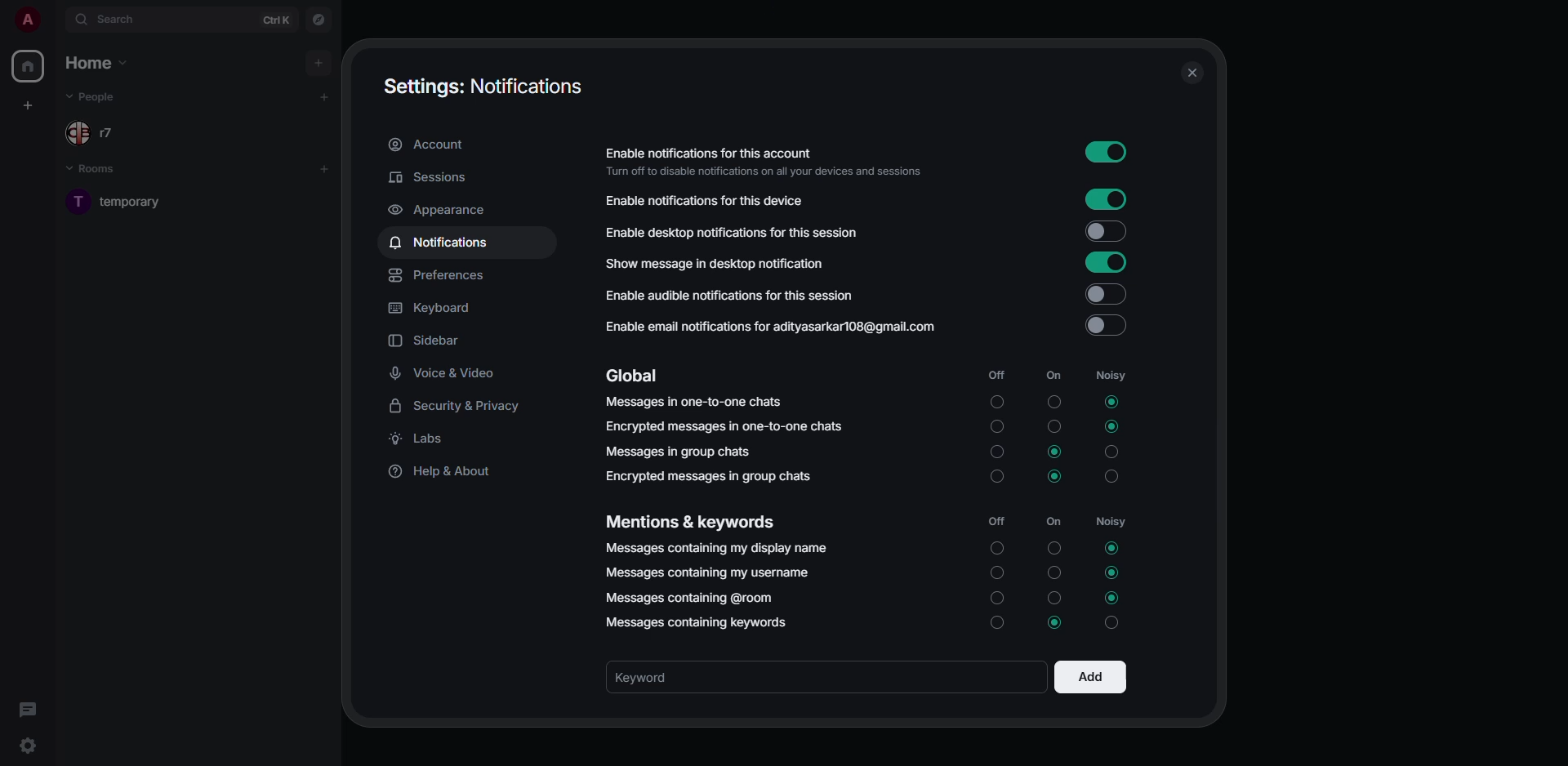  I want to click on turn off, so click(1053, 548).